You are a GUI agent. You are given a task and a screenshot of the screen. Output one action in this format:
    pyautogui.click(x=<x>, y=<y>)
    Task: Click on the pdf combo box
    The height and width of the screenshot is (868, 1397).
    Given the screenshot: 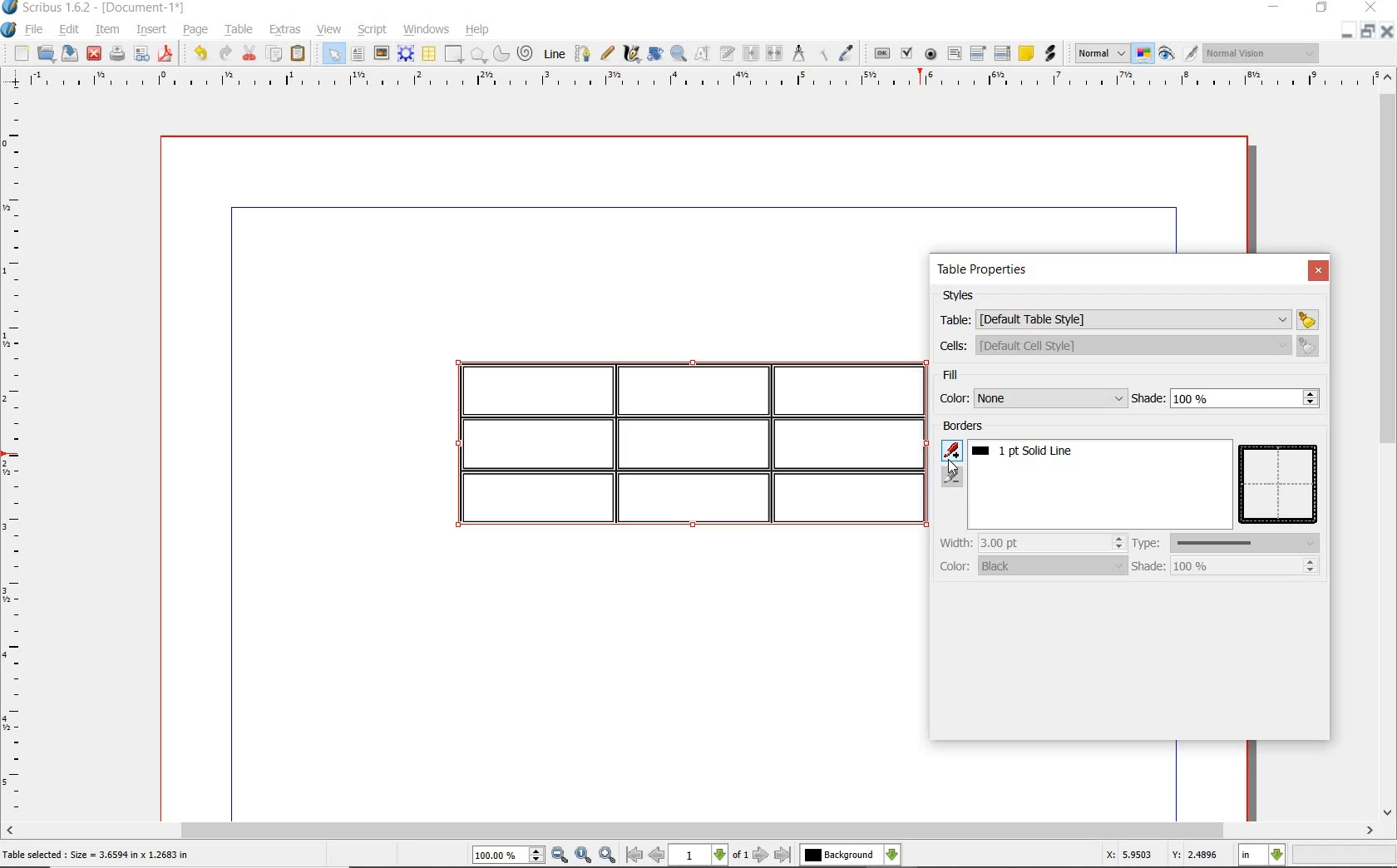 What is the action you would take?
    pyautogui.click(x=978, y=54)
    